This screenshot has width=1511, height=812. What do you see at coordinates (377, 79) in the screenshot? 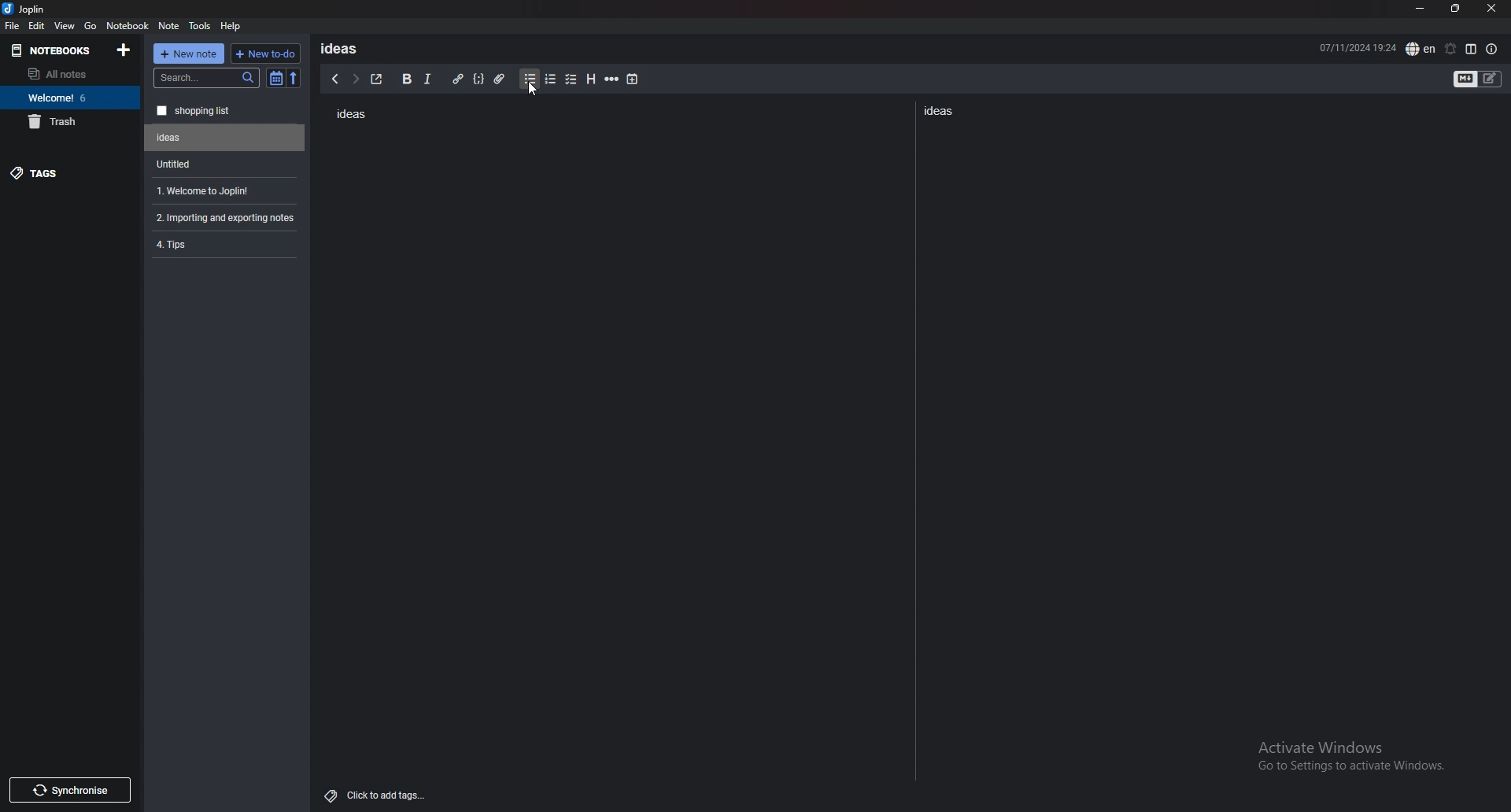
I see `toggle external editor` at bounding box center [377, 79].